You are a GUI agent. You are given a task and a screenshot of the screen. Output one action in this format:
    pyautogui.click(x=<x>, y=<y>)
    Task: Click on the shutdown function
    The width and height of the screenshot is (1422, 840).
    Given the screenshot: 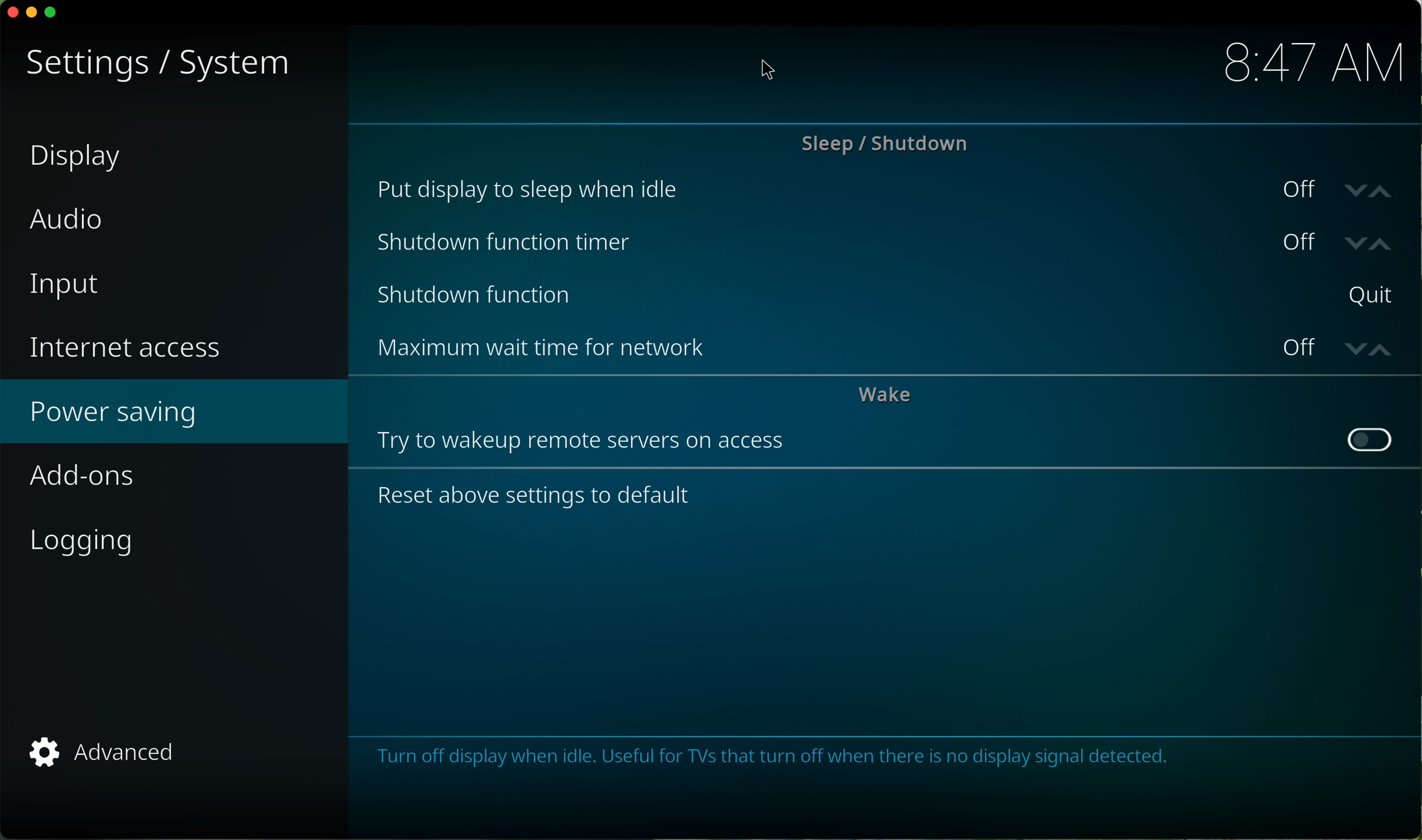 What is the action you would take?
    pyautogui.click(x=476, y=296)
    